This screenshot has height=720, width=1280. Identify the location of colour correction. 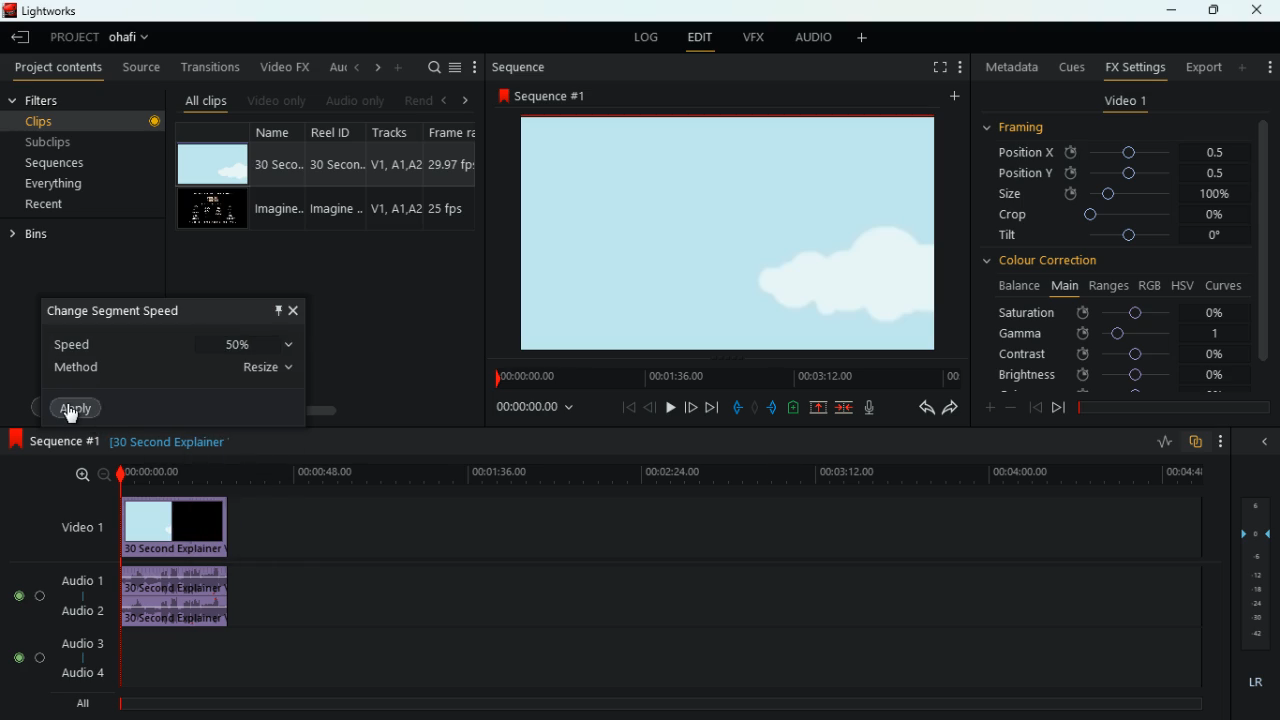
(1045, 263).